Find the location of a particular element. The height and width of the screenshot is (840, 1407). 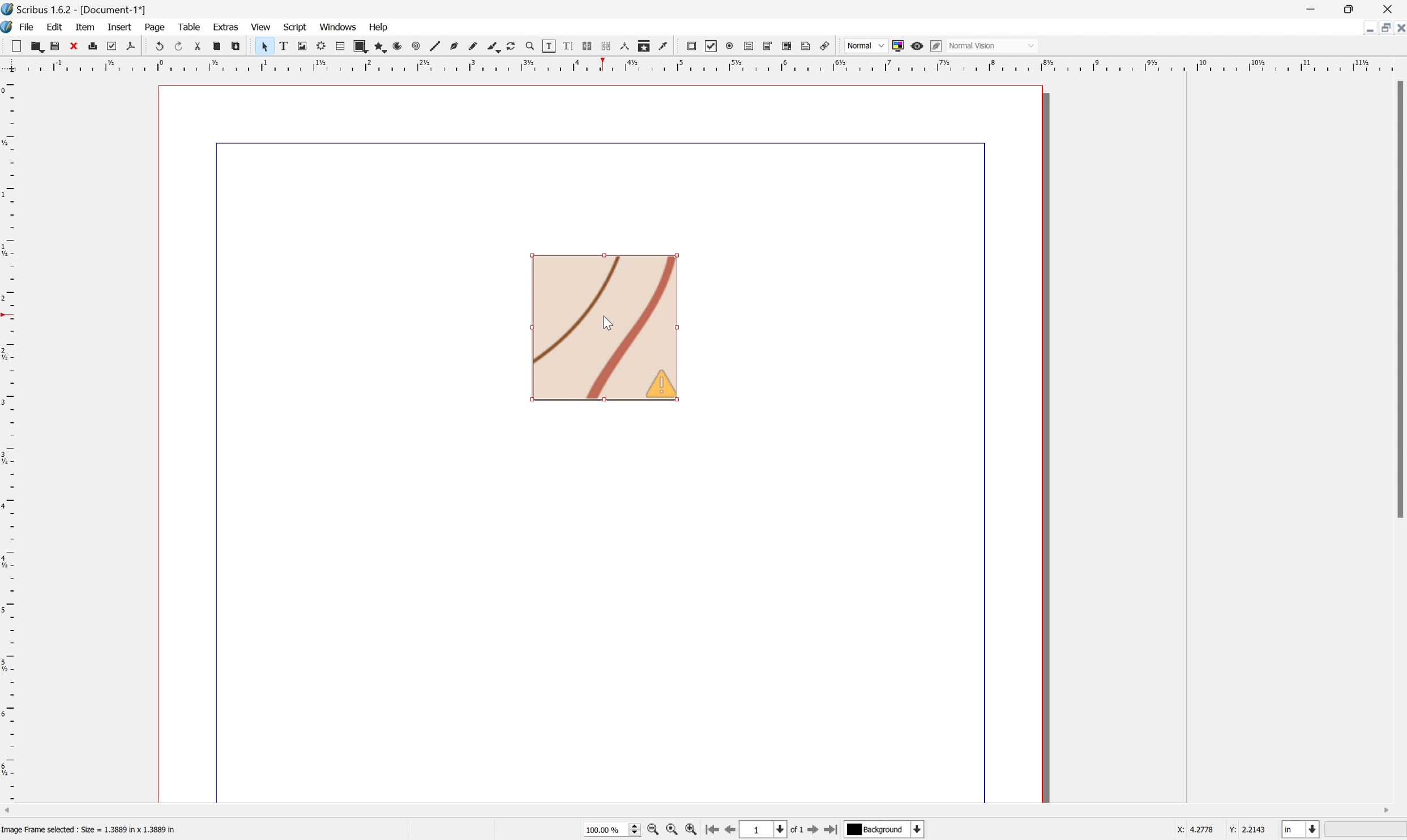

New is located at coordinates (12, 44).